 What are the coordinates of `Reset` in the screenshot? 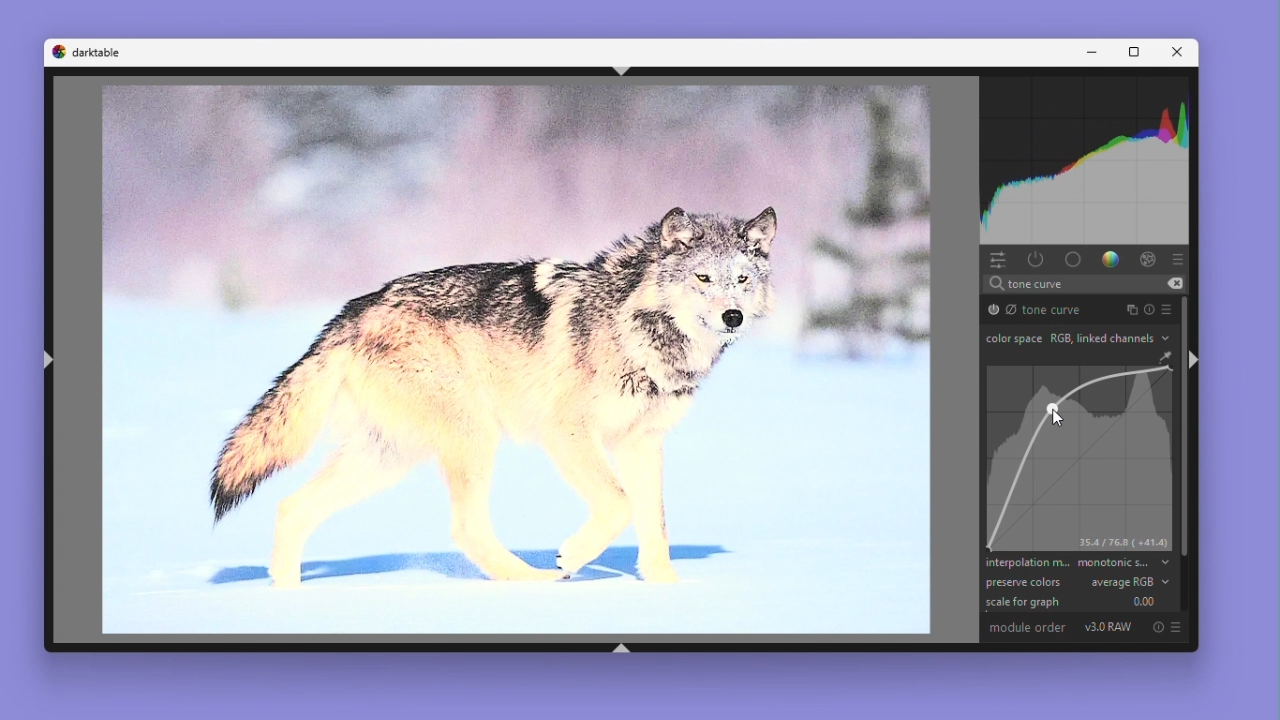 It's located at (1156, 627).